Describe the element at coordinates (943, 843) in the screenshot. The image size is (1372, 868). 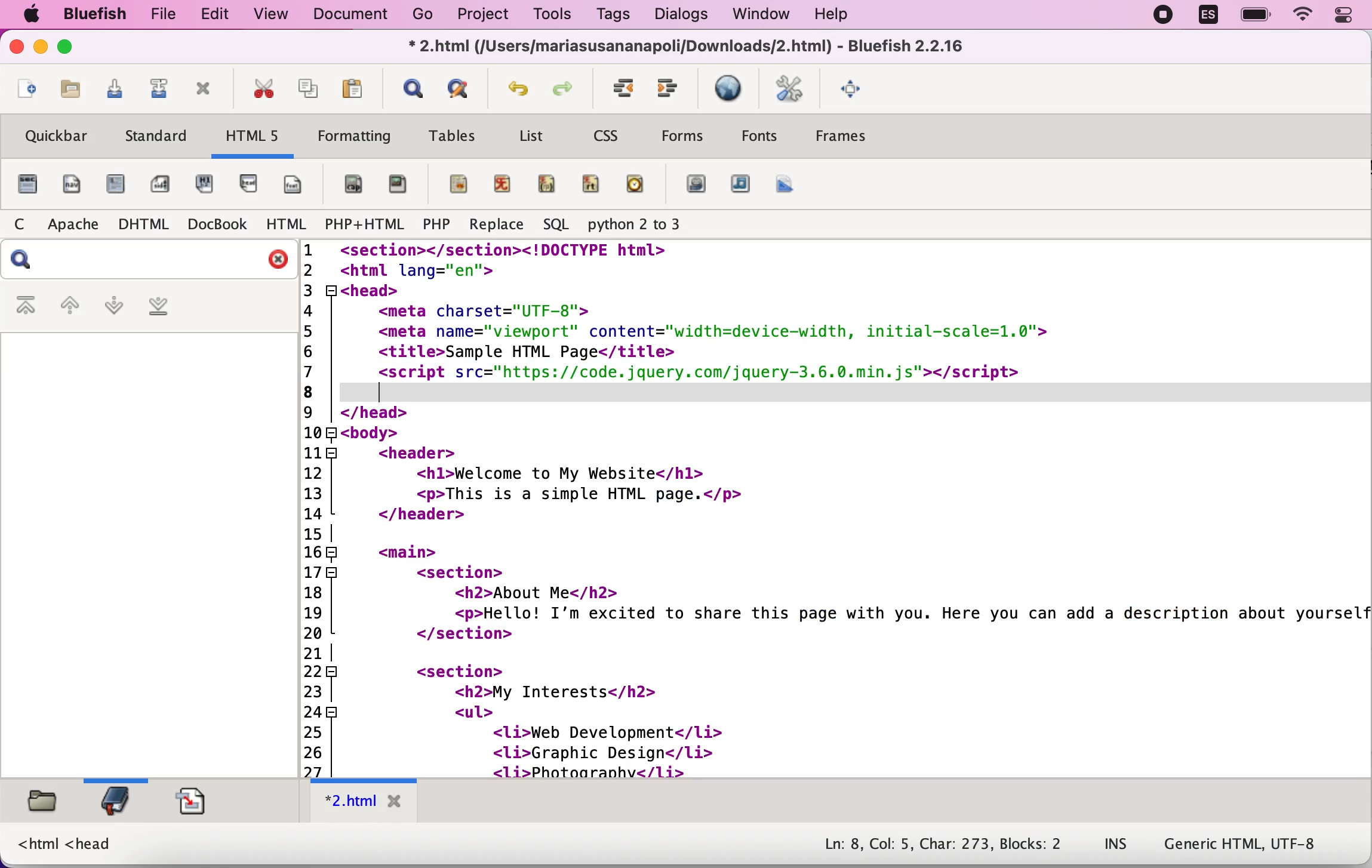
I see `Ln: 8, Col: 5, Char: 273, Blocks: 2` at that location.